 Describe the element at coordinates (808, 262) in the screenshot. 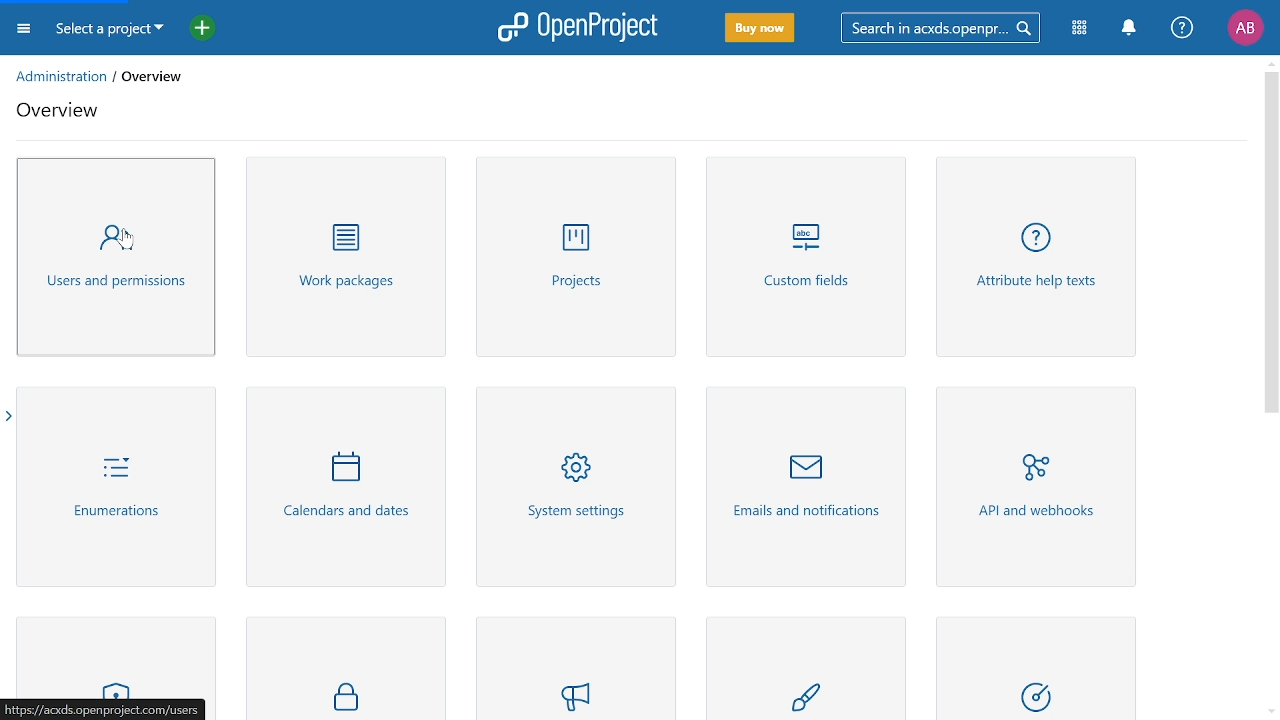

I see `Custom fields` at that location.